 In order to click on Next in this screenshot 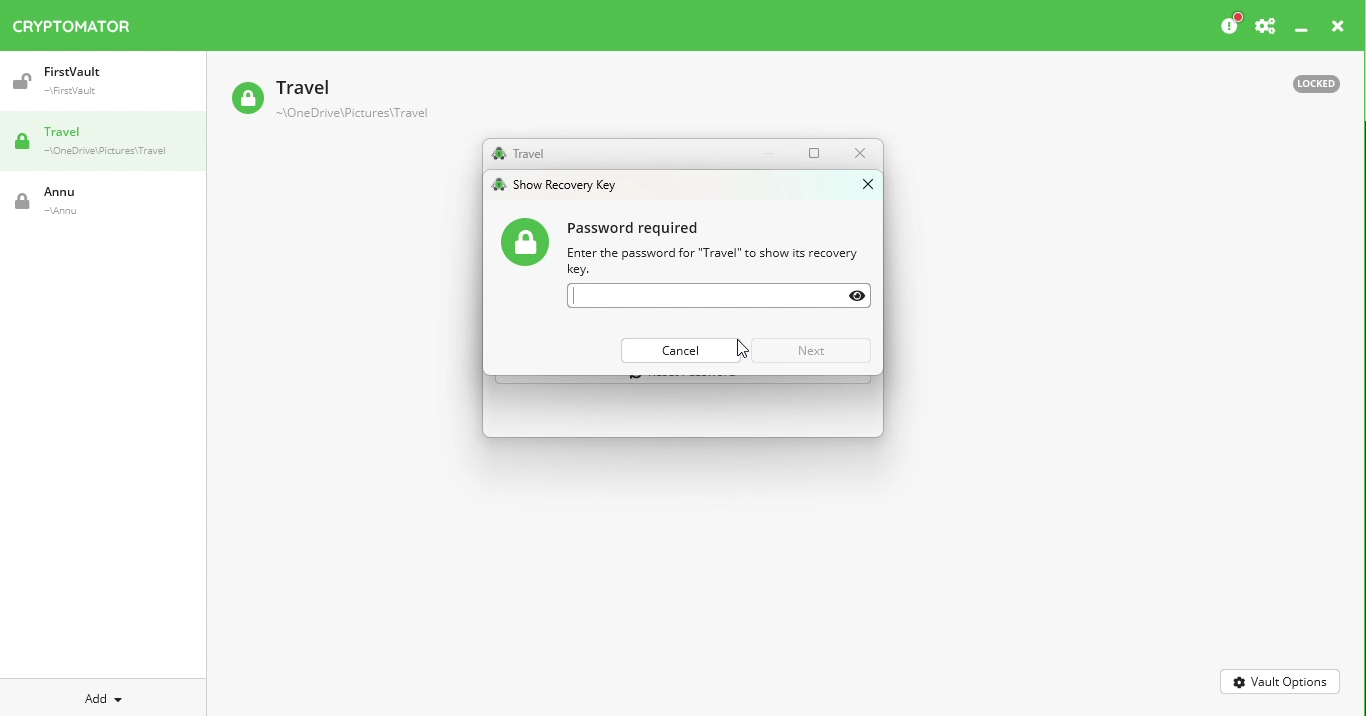, I will do `click(812, 351)`.